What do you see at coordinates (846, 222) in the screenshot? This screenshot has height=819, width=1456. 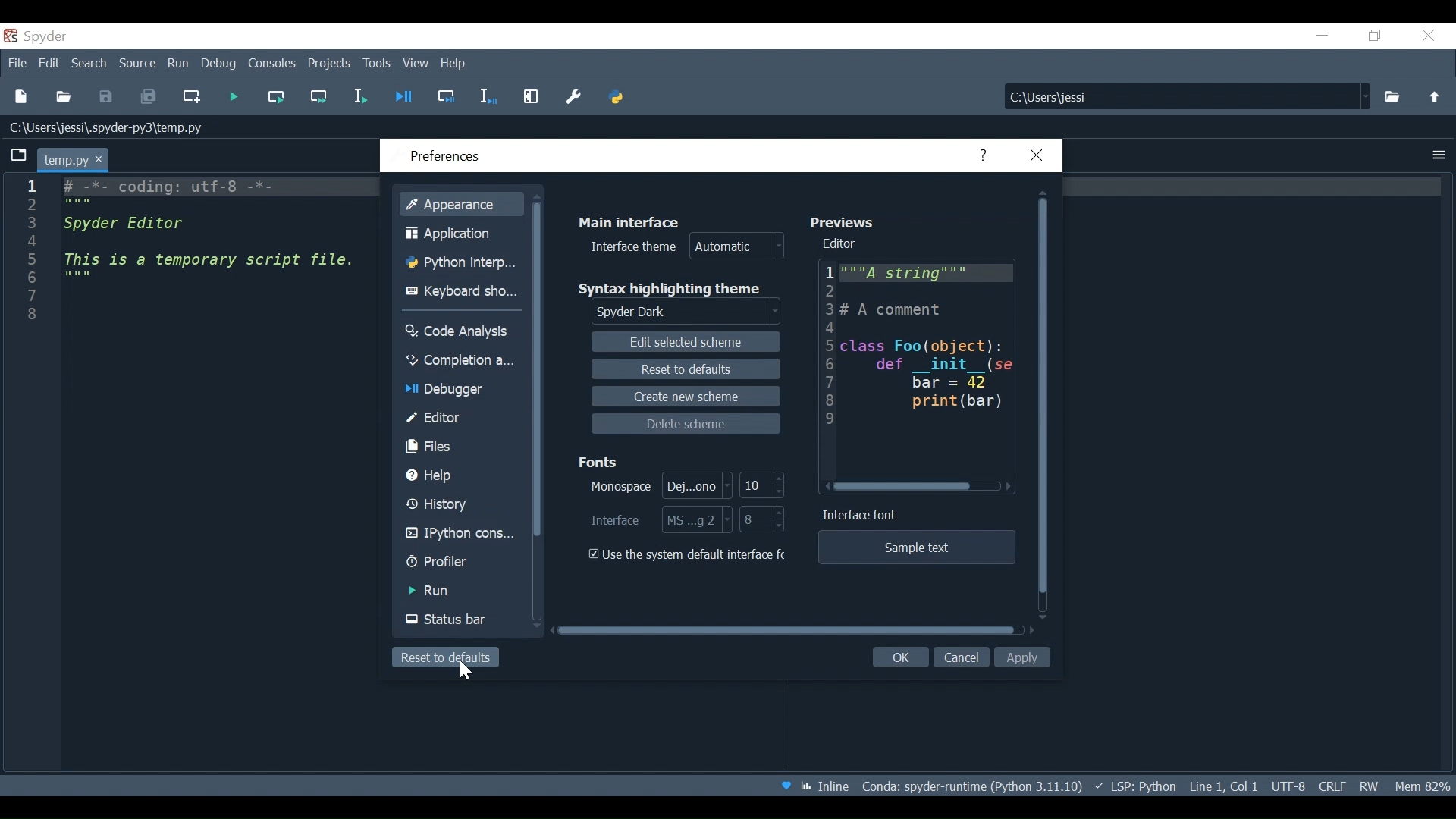 I see `Previews` at bounding box center [846, 222].